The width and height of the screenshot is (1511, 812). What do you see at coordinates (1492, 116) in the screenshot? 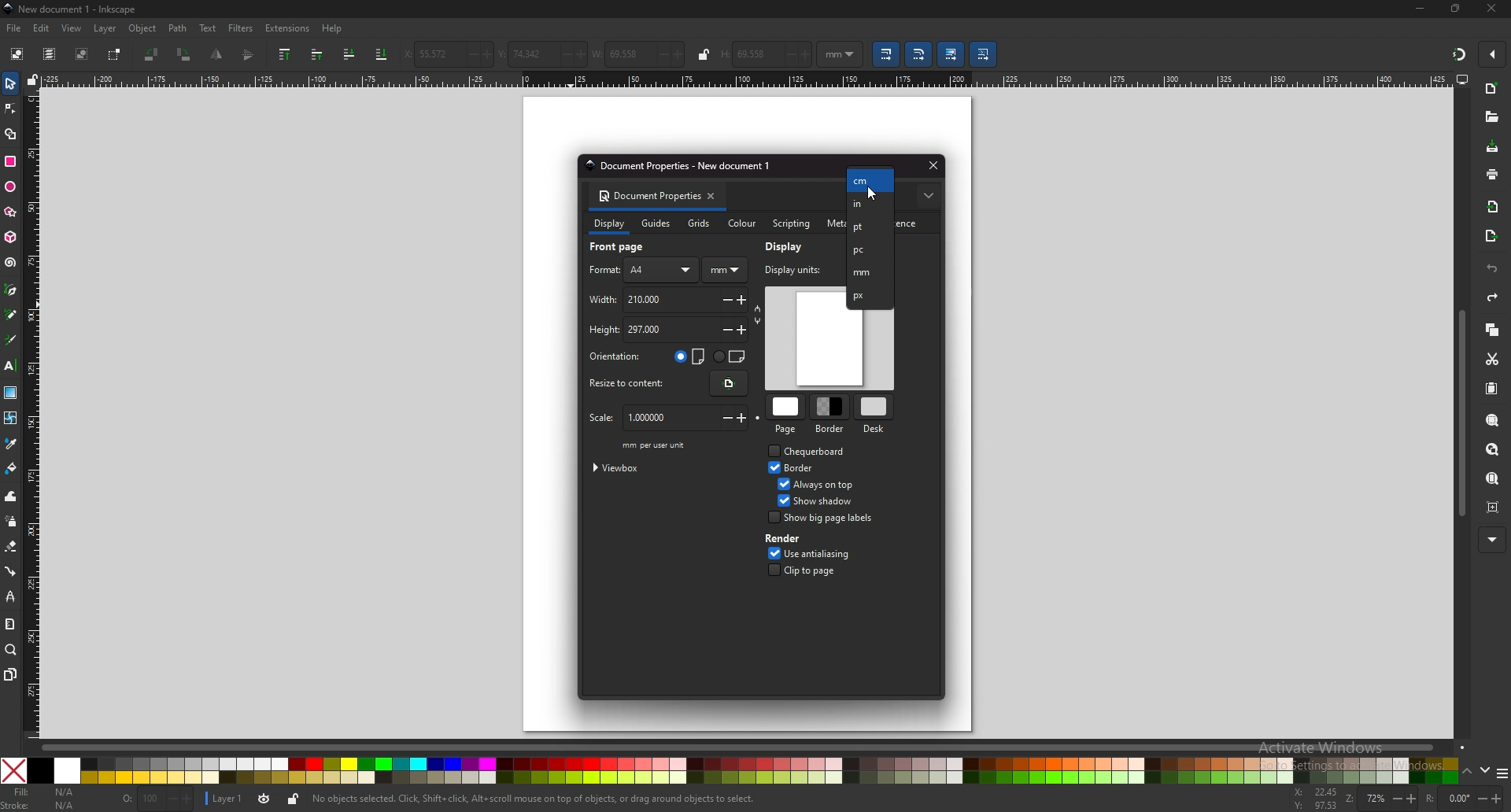
I see `open` at bounding box center [1492, 116].